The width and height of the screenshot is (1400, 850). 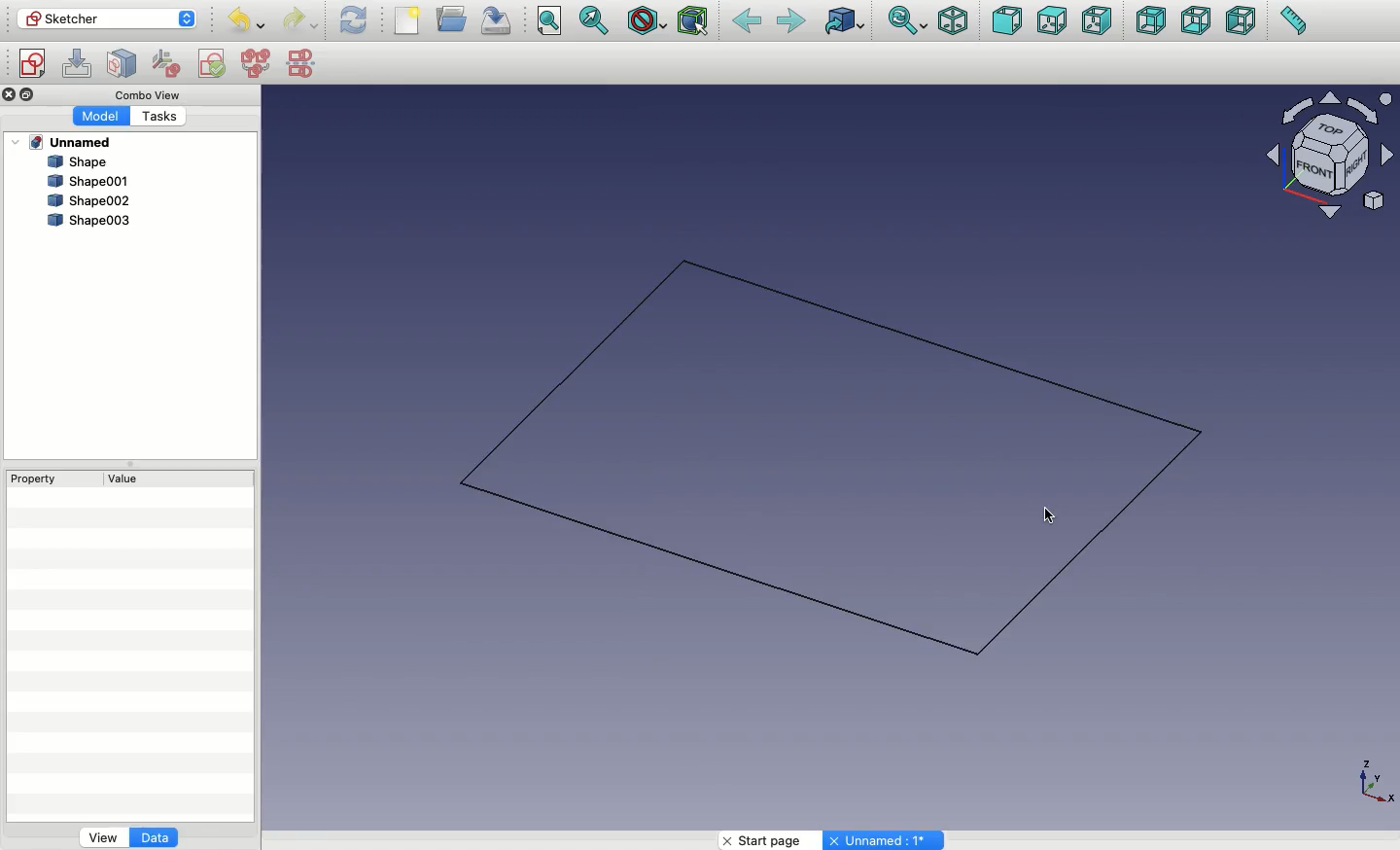 What do you see at coordinates (299, 21) in the screenshot?
I see `Redo` at bounding box center [299, 21].